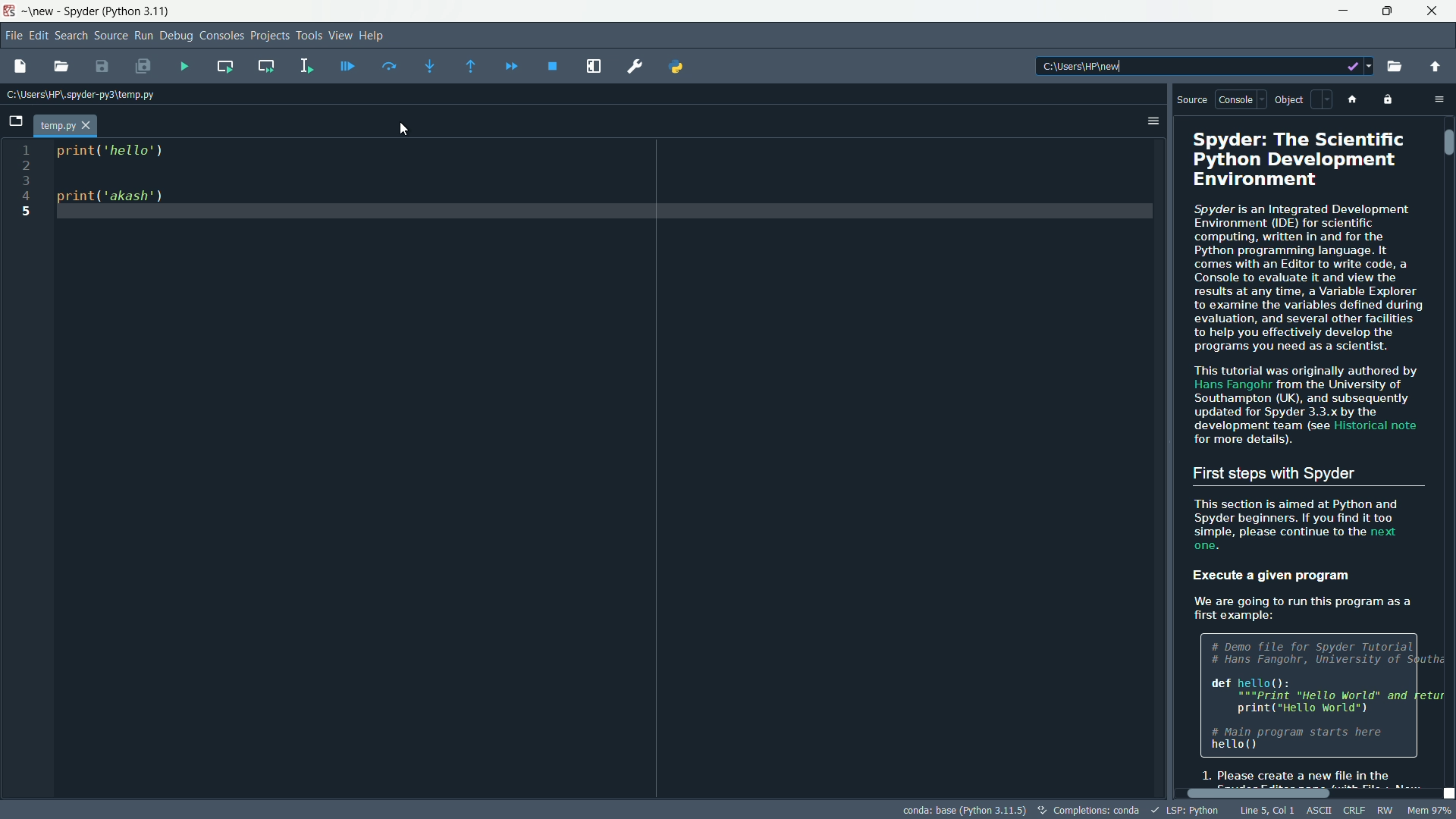  Describe the element at coordinates (1436, 11) in the screenshot. I see `close` at that location.